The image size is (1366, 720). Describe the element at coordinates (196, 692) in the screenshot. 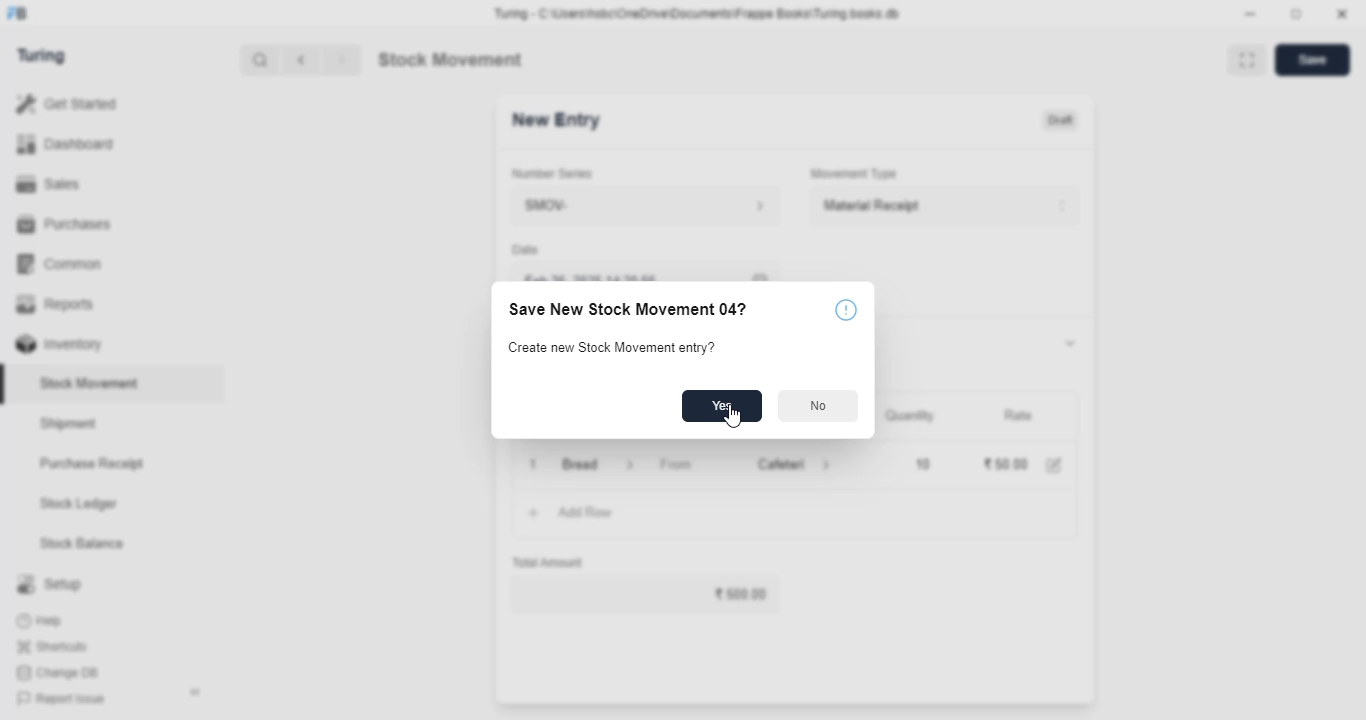

I see `toggle sidebar` at that location.